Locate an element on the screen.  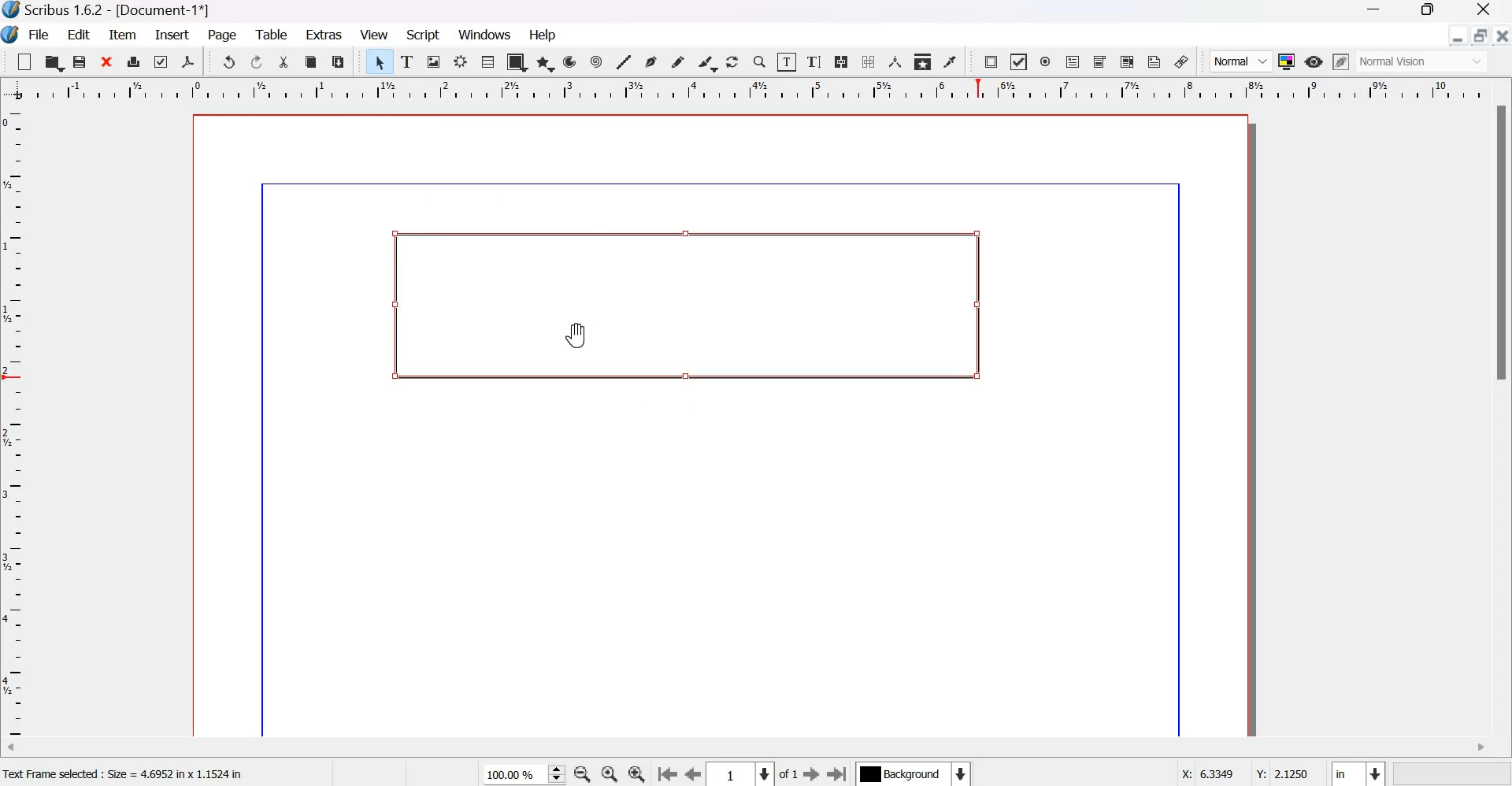
PDF check box is located at coordinates (1017, 62).